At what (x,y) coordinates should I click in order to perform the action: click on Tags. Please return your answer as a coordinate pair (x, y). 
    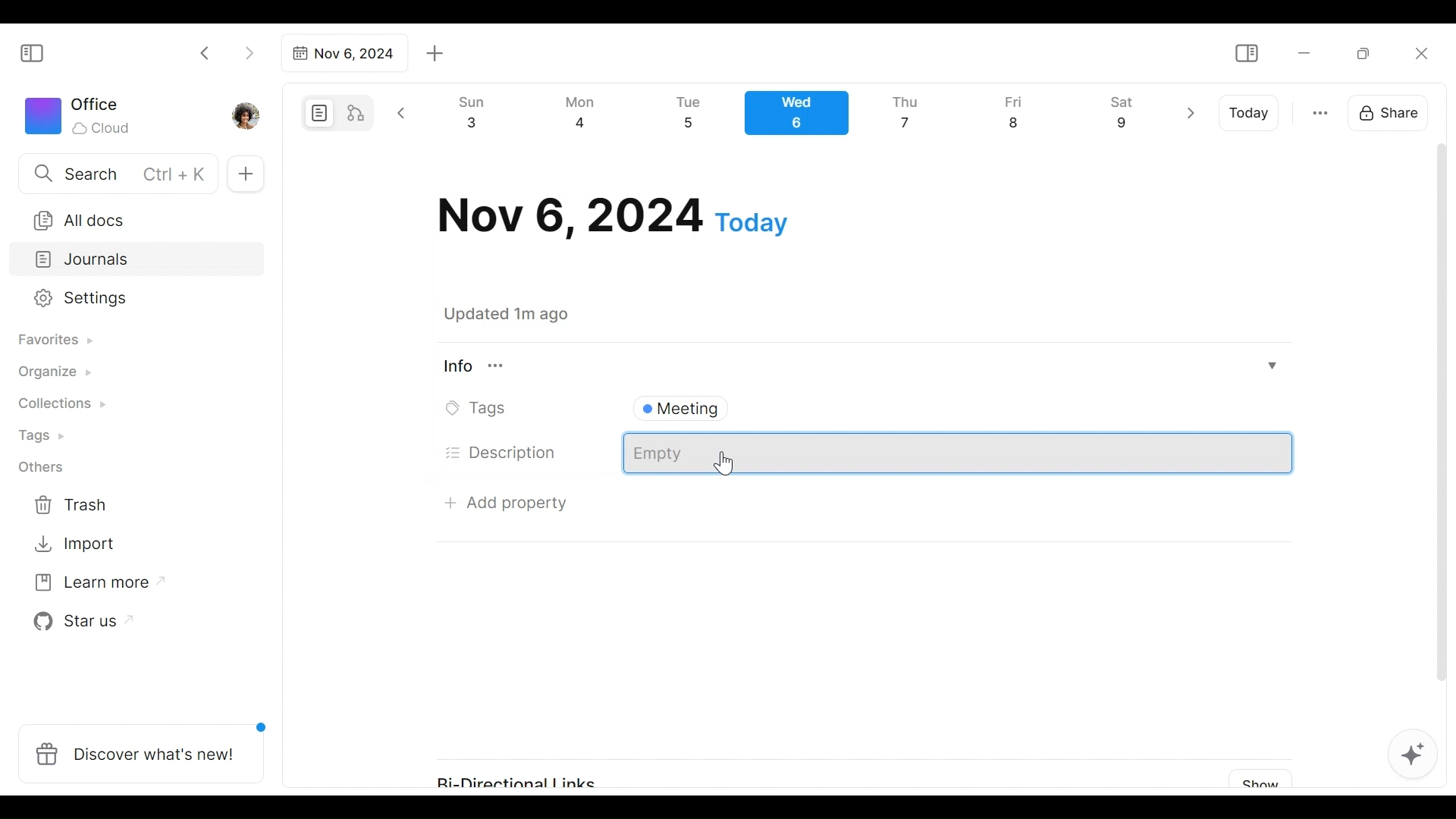
    Looking at the image, I should click on (43, 438).